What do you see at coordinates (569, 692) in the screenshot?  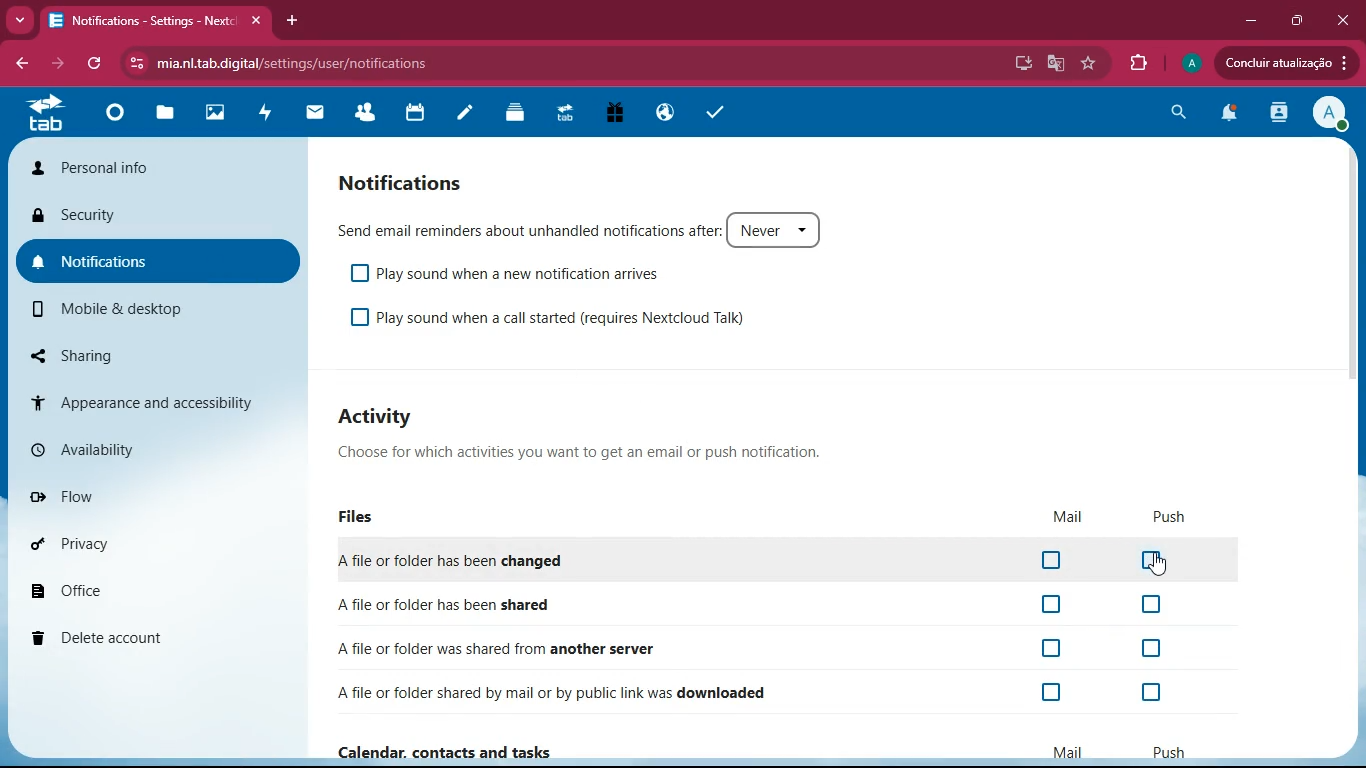 I see `downloaded` at bounding box center [569, 692].